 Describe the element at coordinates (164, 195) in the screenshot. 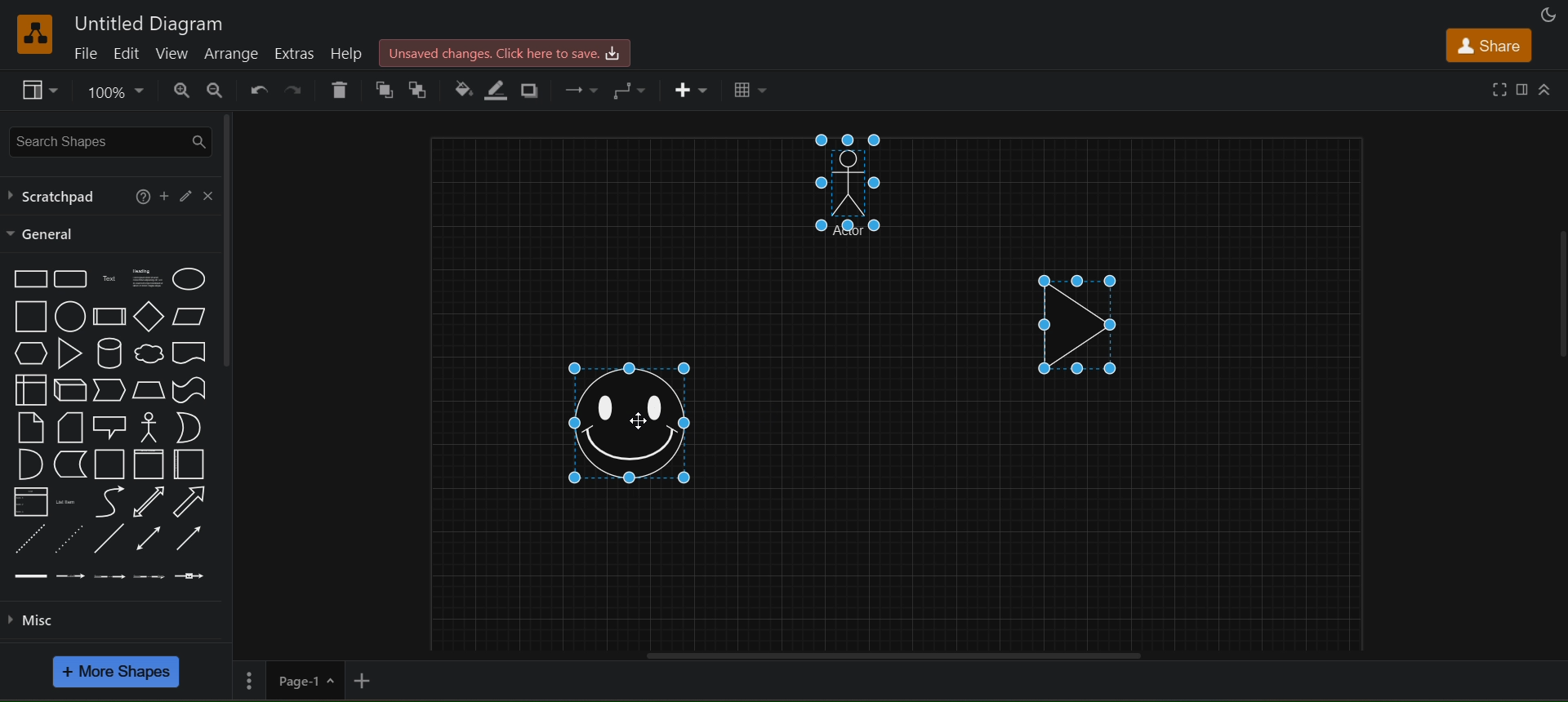

I see `add` at that location.